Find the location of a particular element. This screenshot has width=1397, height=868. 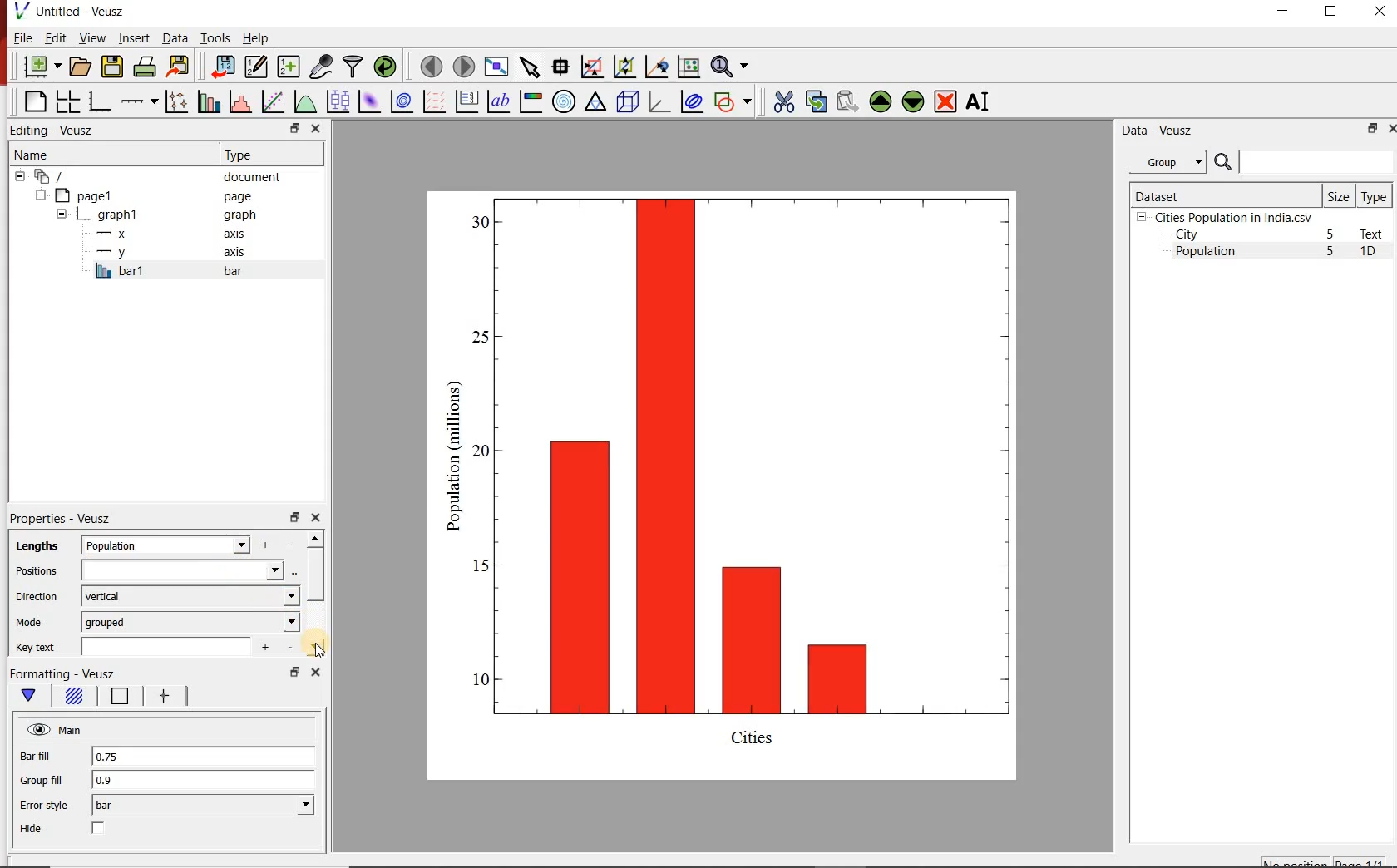

Text is located at coordinates (1375, 234).